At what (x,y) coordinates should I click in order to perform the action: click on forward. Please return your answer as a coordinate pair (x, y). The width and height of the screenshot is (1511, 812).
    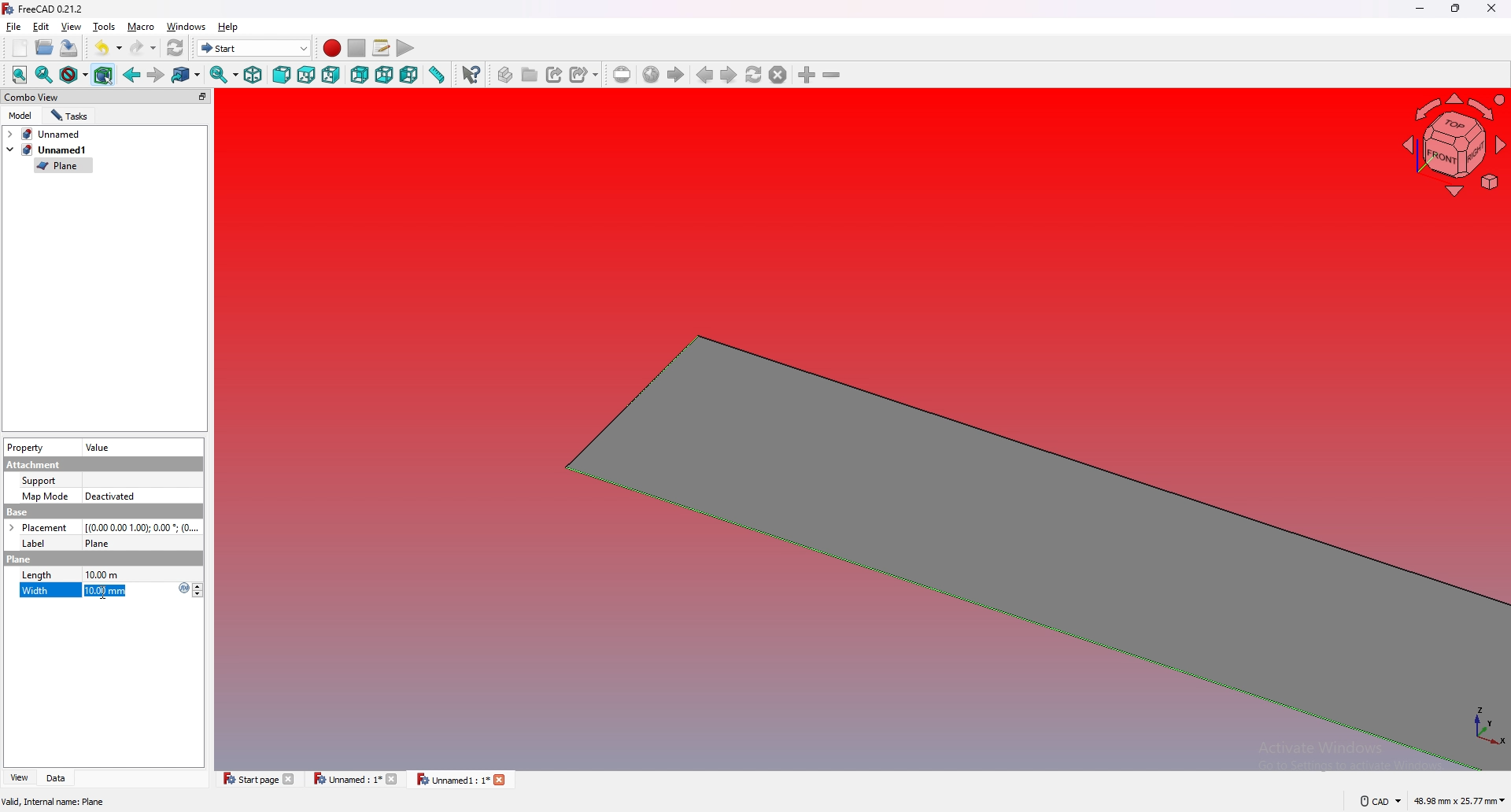
    Looking at the image, I should click on (156, 76).